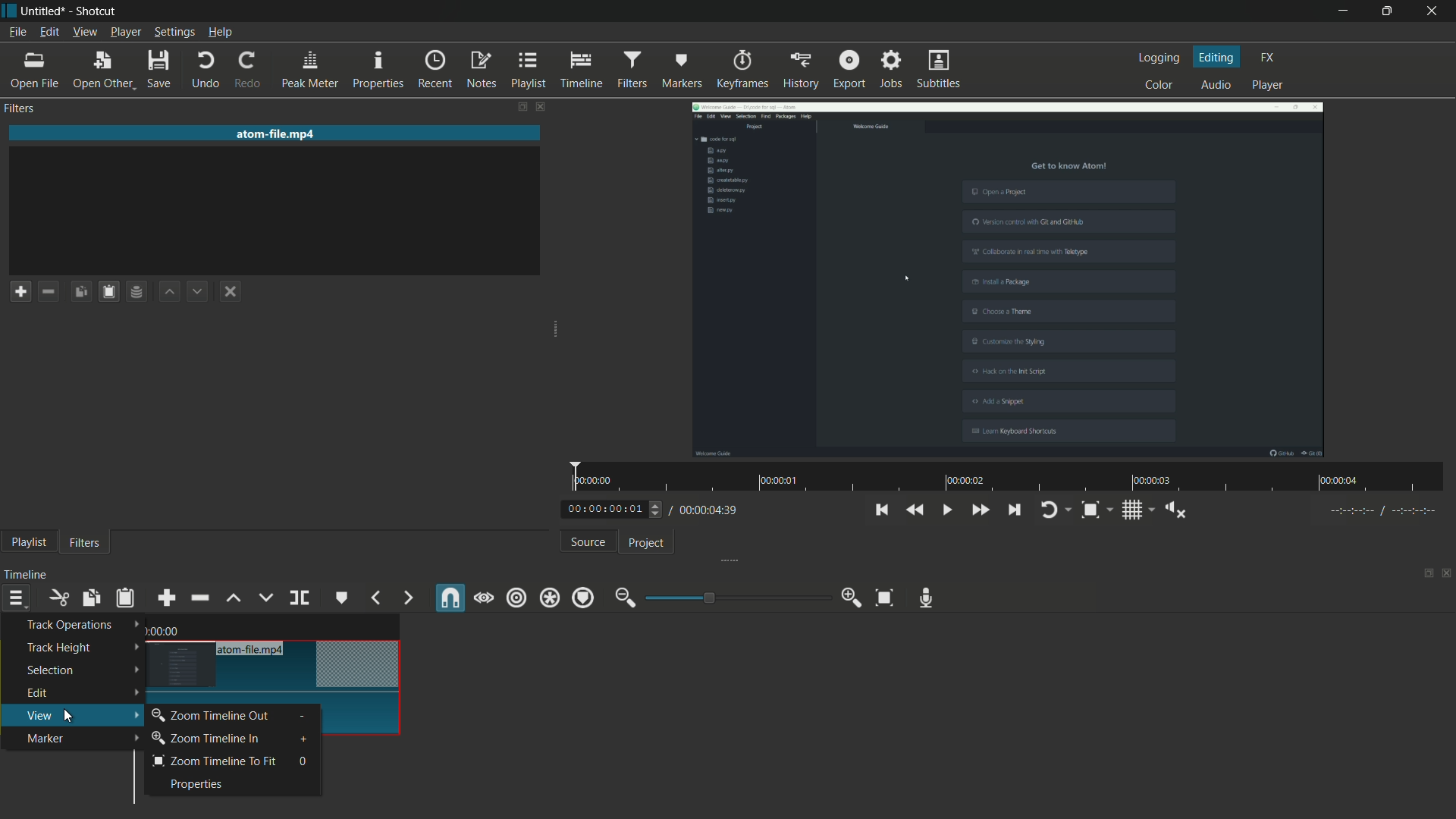 The height and width of the screenshot is (819, 1456). Describe the element at coordinates (49, 291) in the screenshot. I see `remove a filter` at that location.